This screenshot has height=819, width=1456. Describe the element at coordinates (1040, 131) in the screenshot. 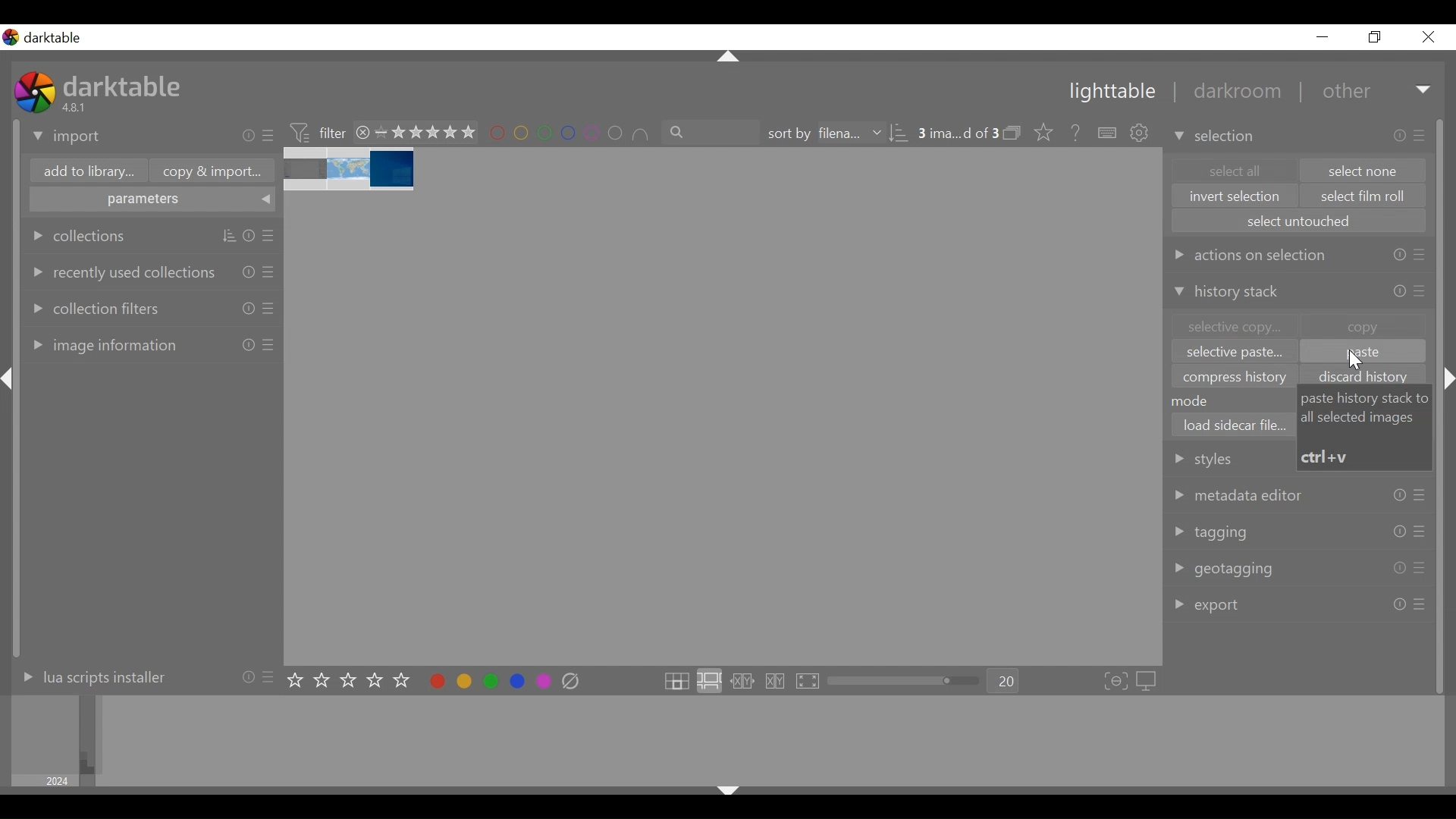

I see `click to change the type of overlays` at that location.